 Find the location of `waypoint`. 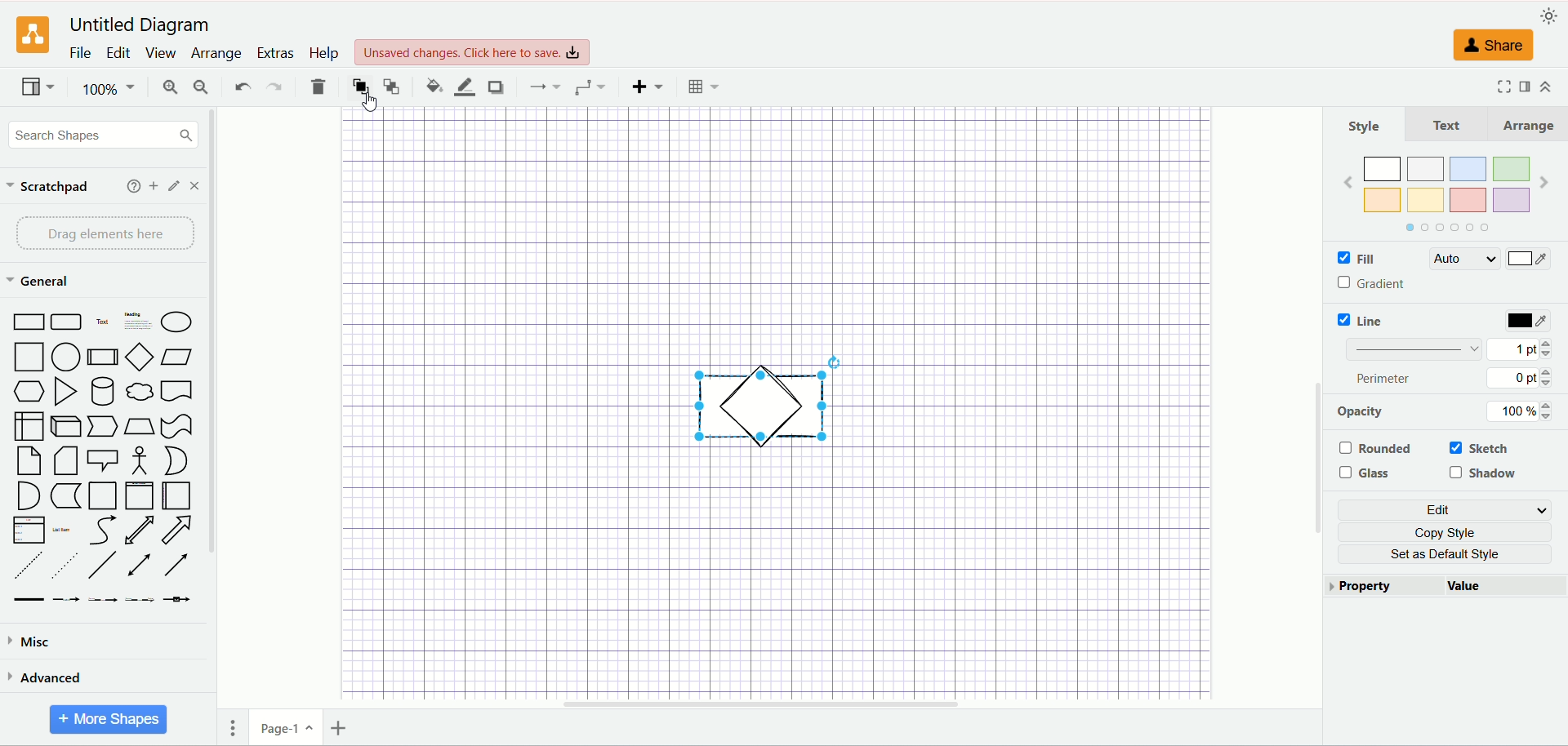

waypoint is located at coordinates (546, 86).